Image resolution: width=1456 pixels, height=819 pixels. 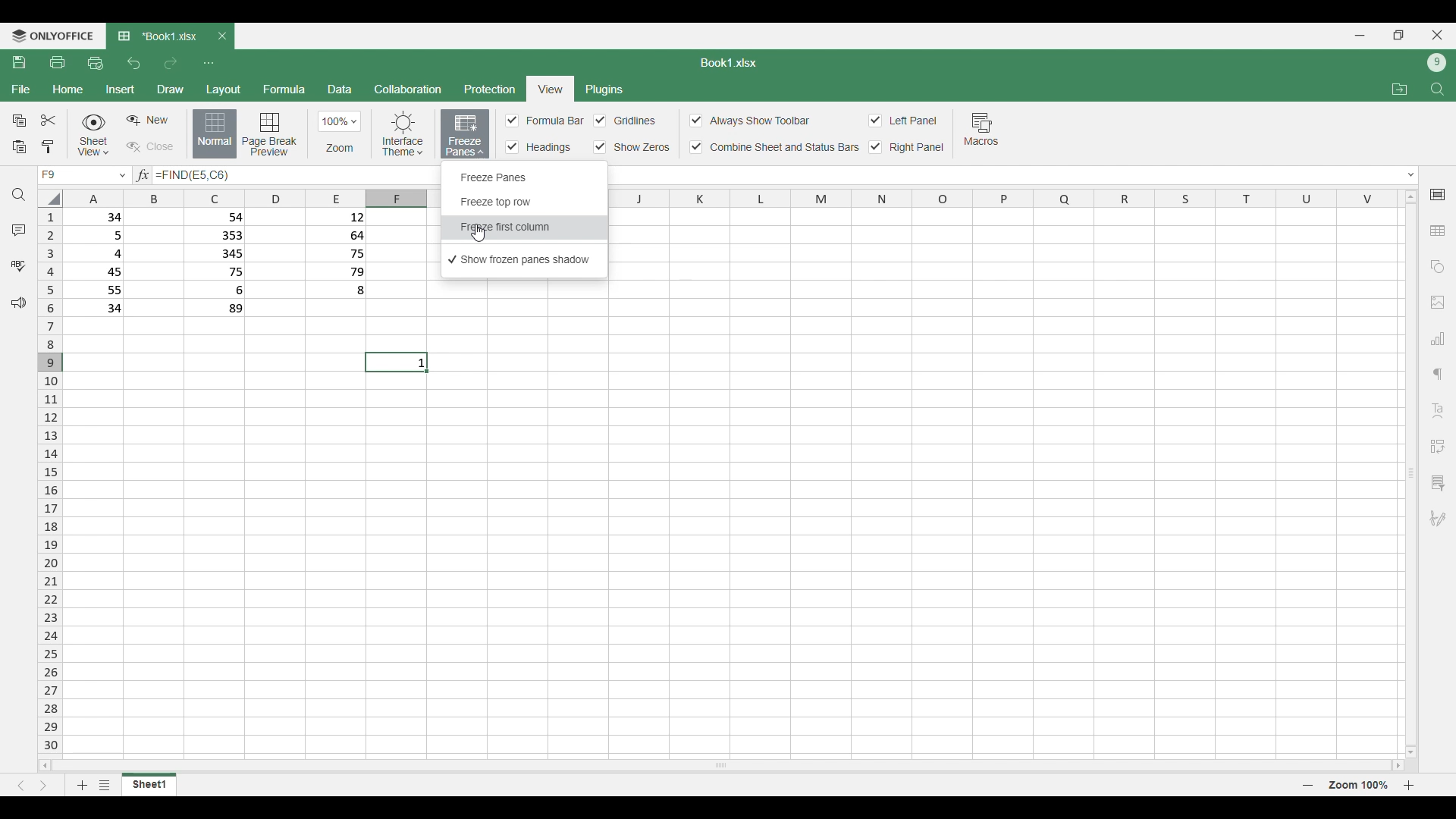 What do you see at coordinates (1360, 36) in the screenshot?
I see `Minimize` at bounding box center [1360, 36].